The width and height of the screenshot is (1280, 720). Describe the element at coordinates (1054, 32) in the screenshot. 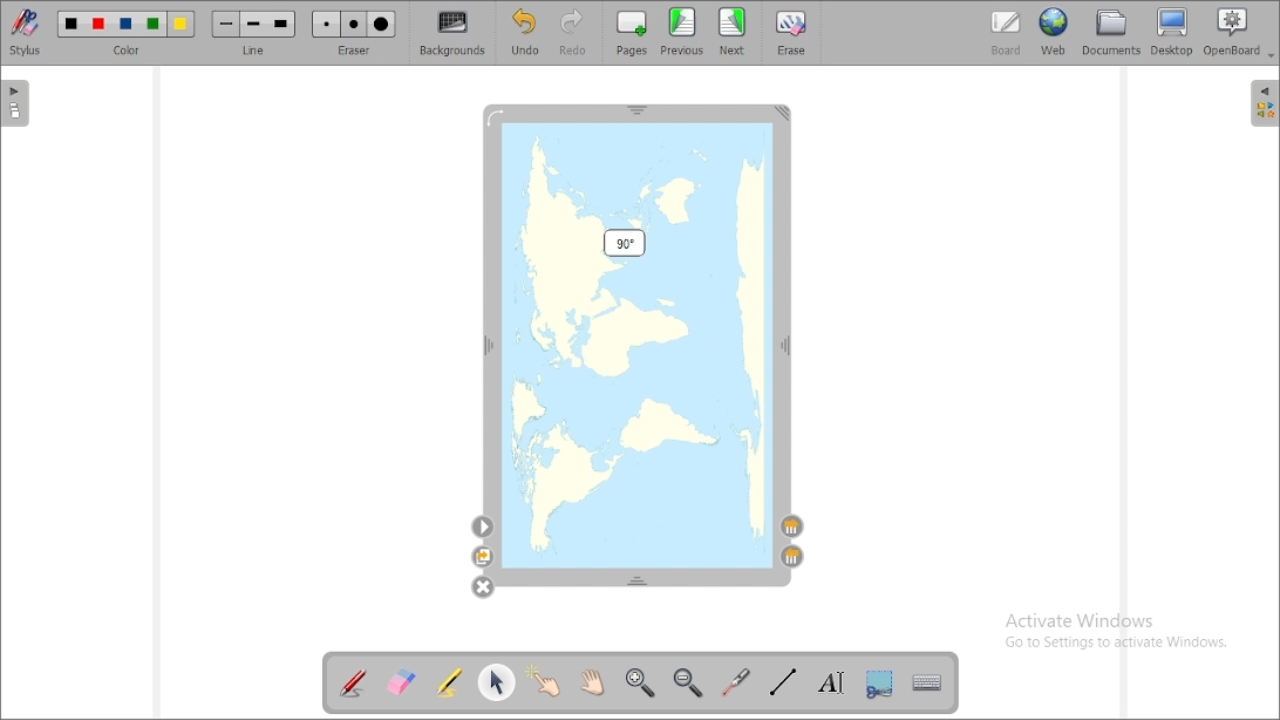

I see `web` at that location.